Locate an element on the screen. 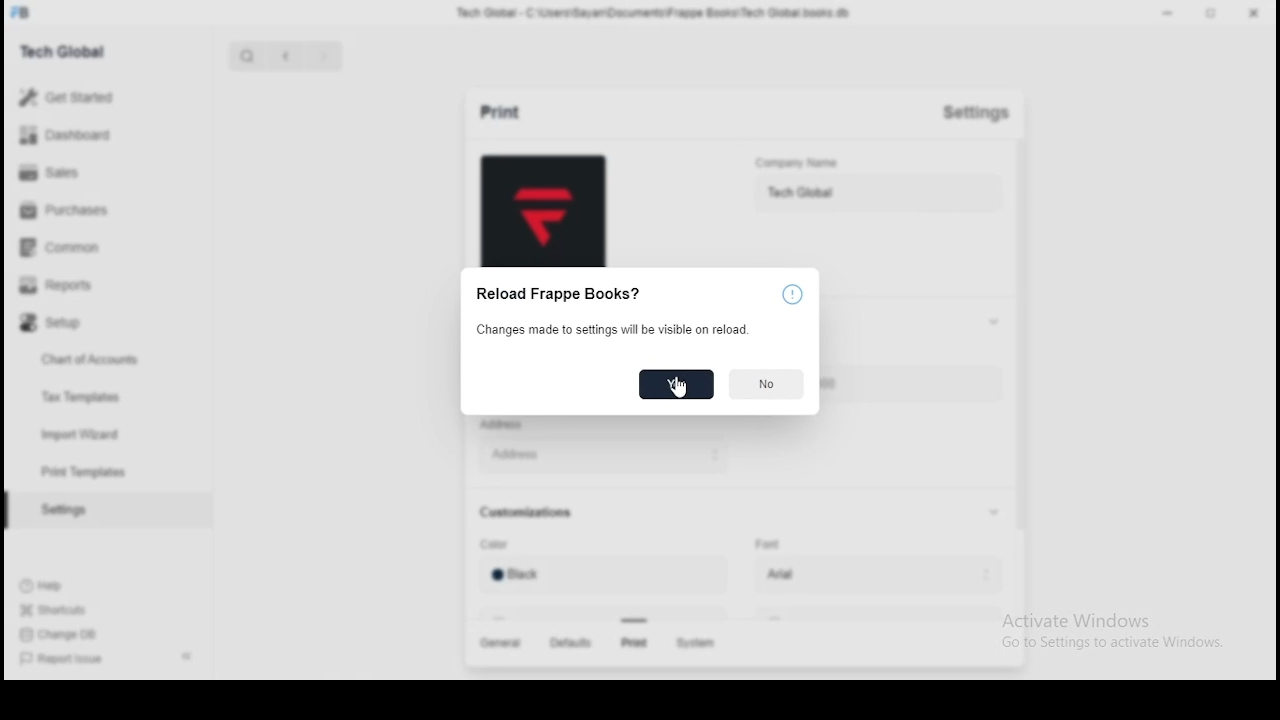 The height and width of the screenshot is (720, 1280). ‘Address is located at coordinates (508, 426).